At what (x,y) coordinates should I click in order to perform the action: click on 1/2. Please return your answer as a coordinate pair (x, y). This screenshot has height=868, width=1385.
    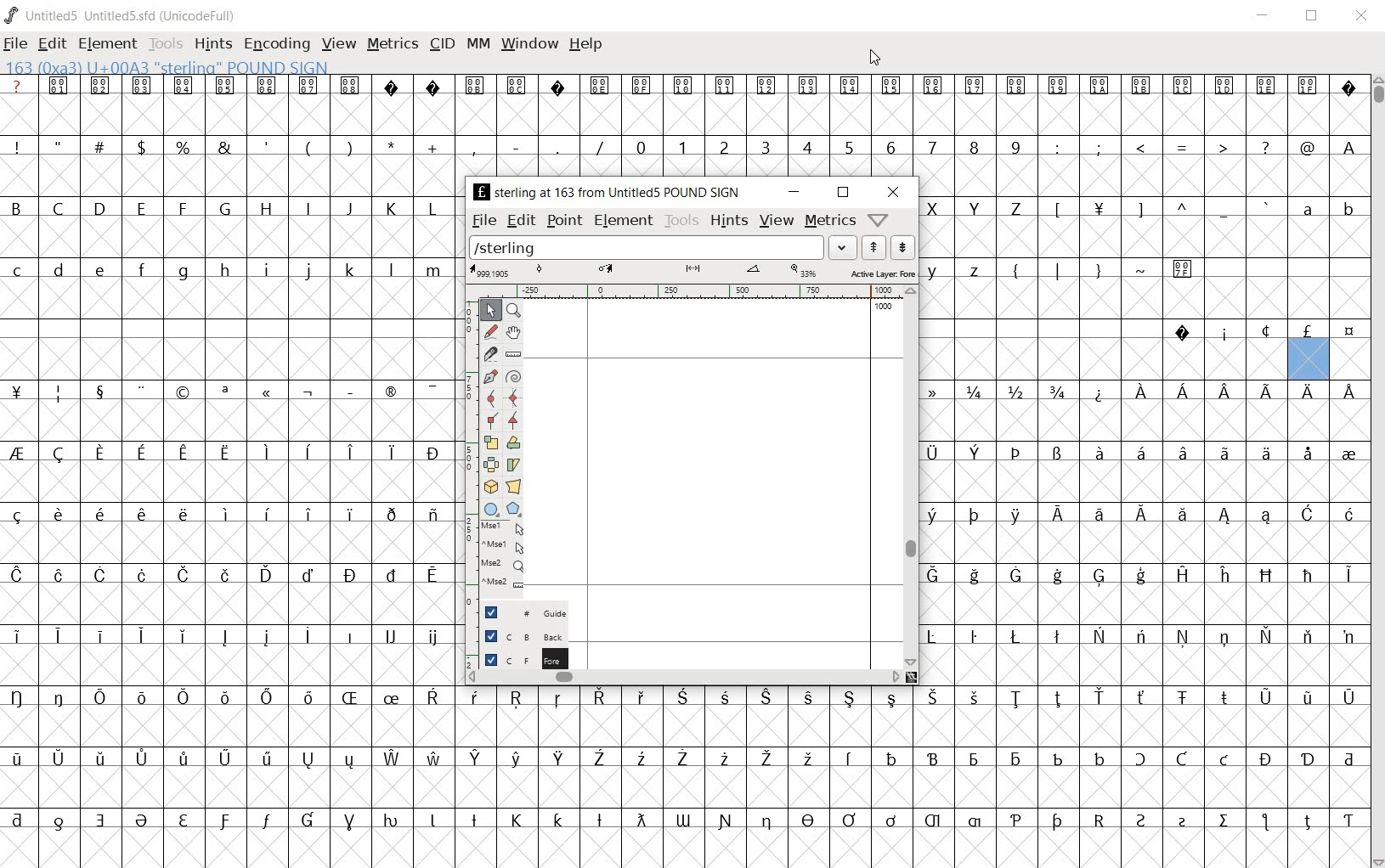
    Looking at the image, I should click on (1014, 390).